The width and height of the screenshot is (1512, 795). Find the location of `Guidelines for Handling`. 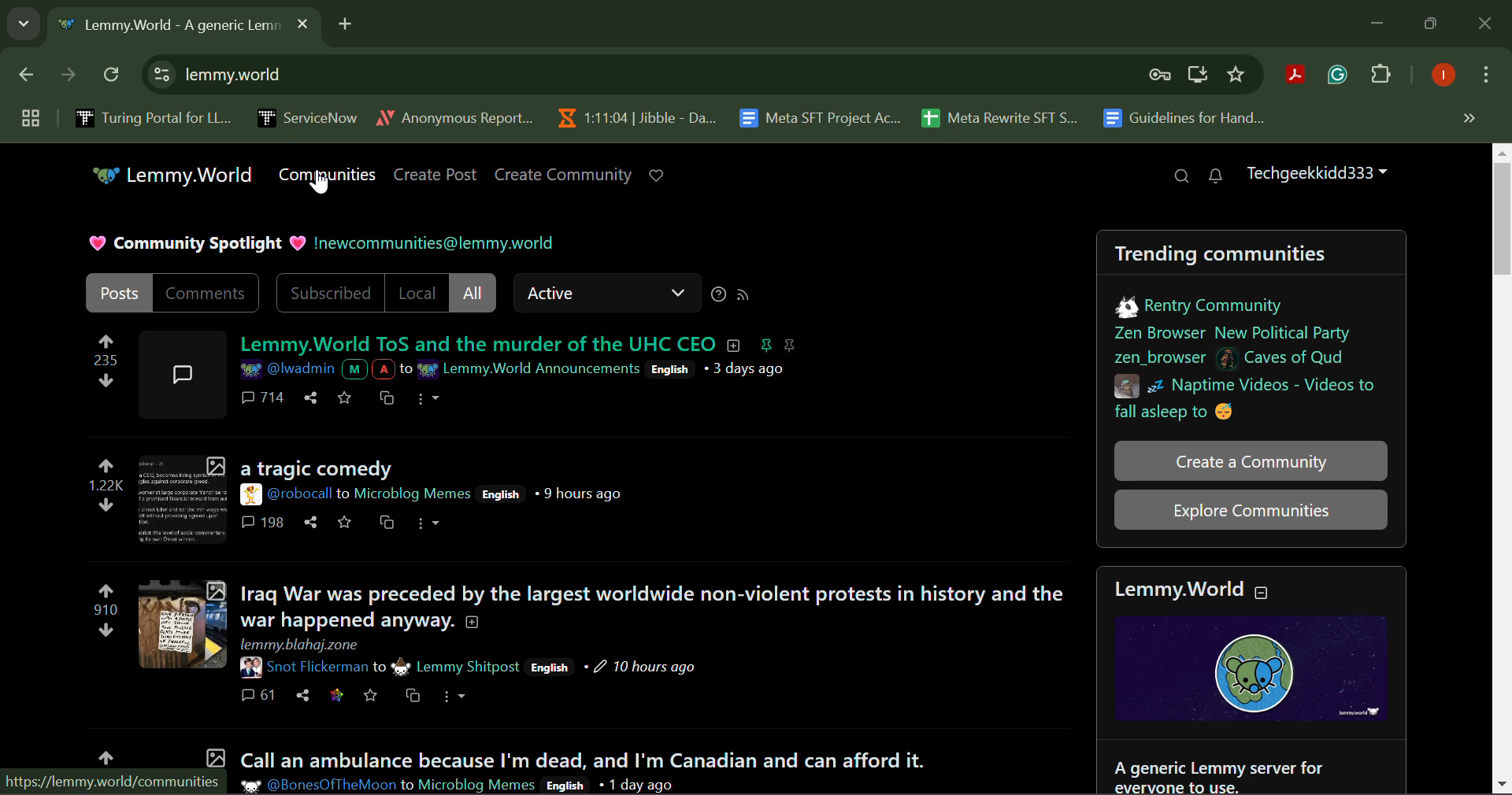

Guidelines for Handling is located at coordinates (1186, 118).